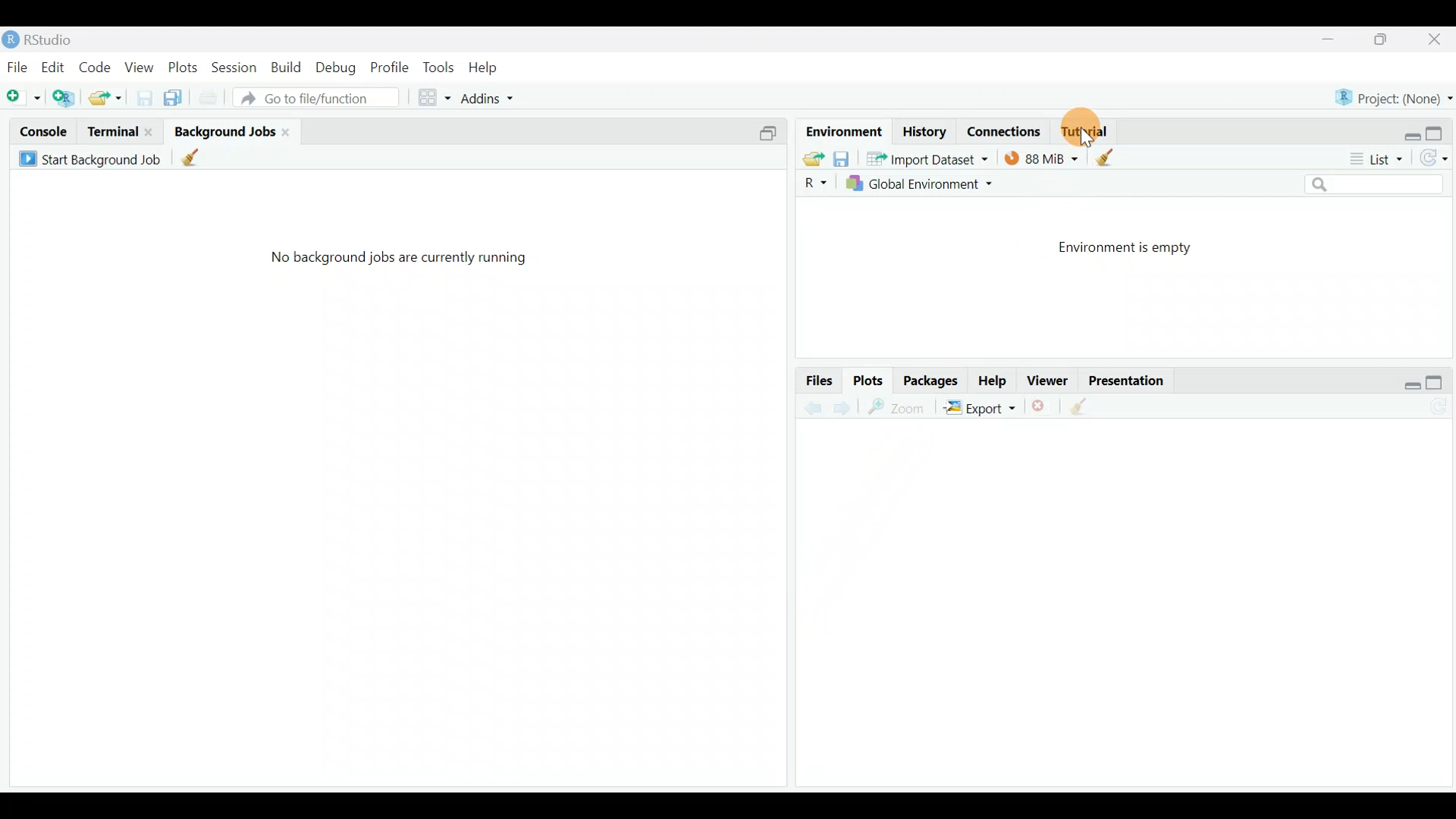 The height and width of the screenshot is (819, 1456). What do you see at coordinates (89, 158) in the screenshot?
I see `Start Background Job` at bounding box center [89, 158].